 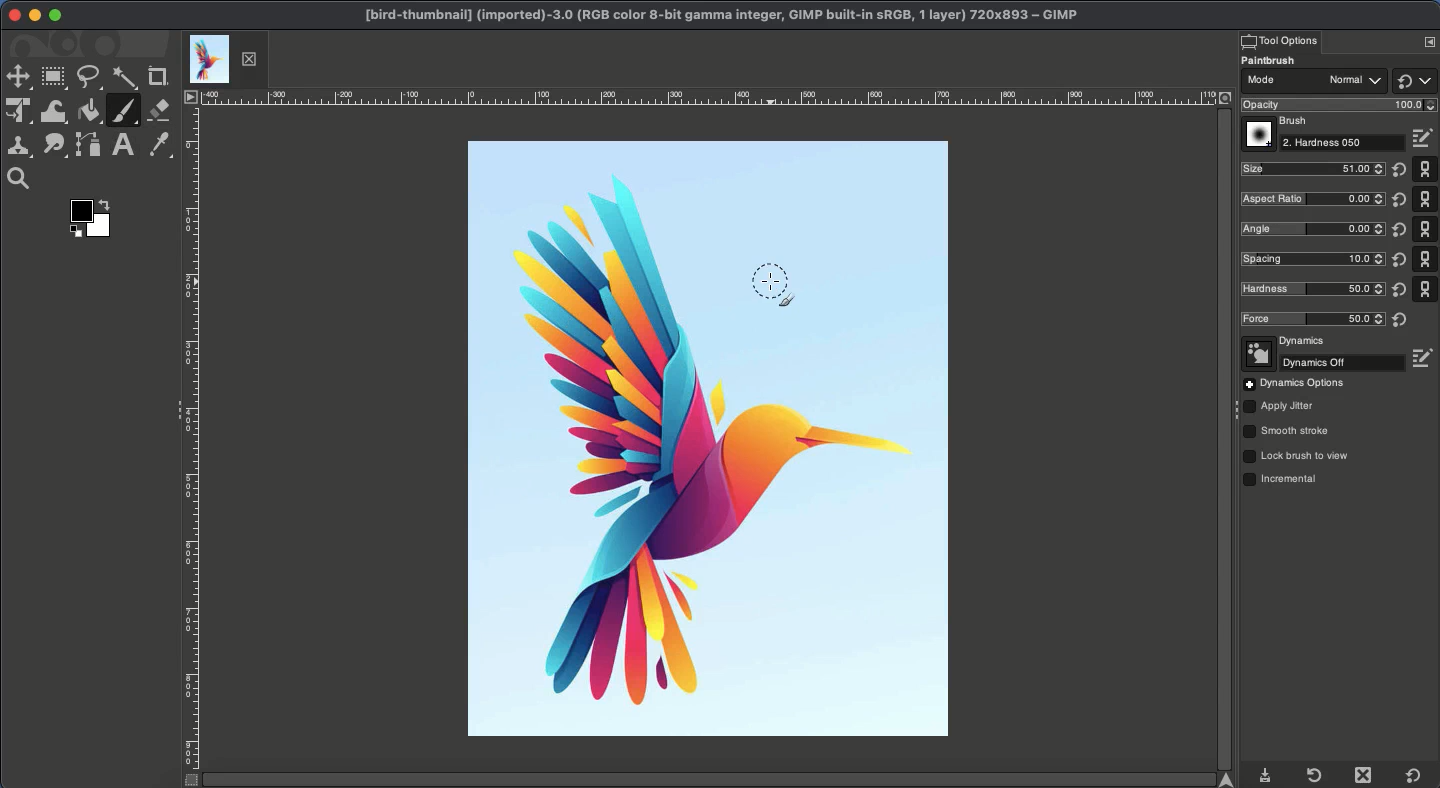 What do you see at coordinates (19, 110) in the screenshot?
I see `Unified transformation` at bounding box center [19, 110].